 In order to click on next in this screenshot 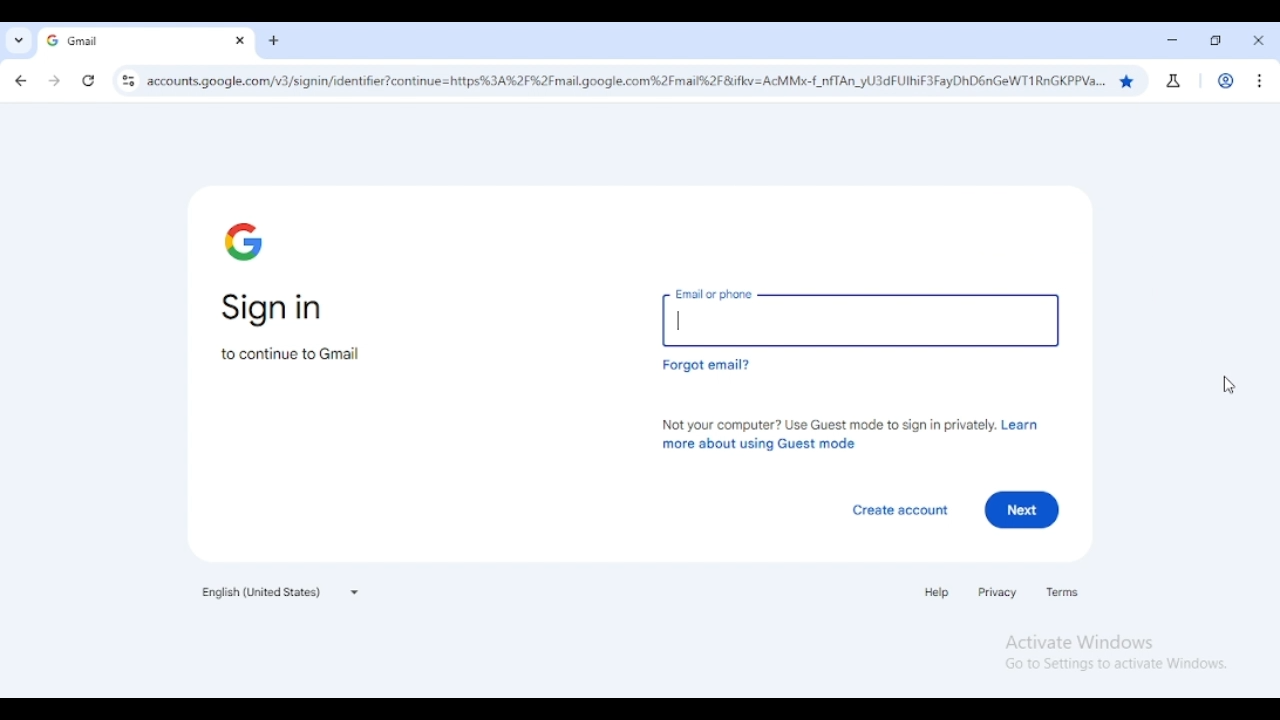, I will do `click(1023, 510)`.